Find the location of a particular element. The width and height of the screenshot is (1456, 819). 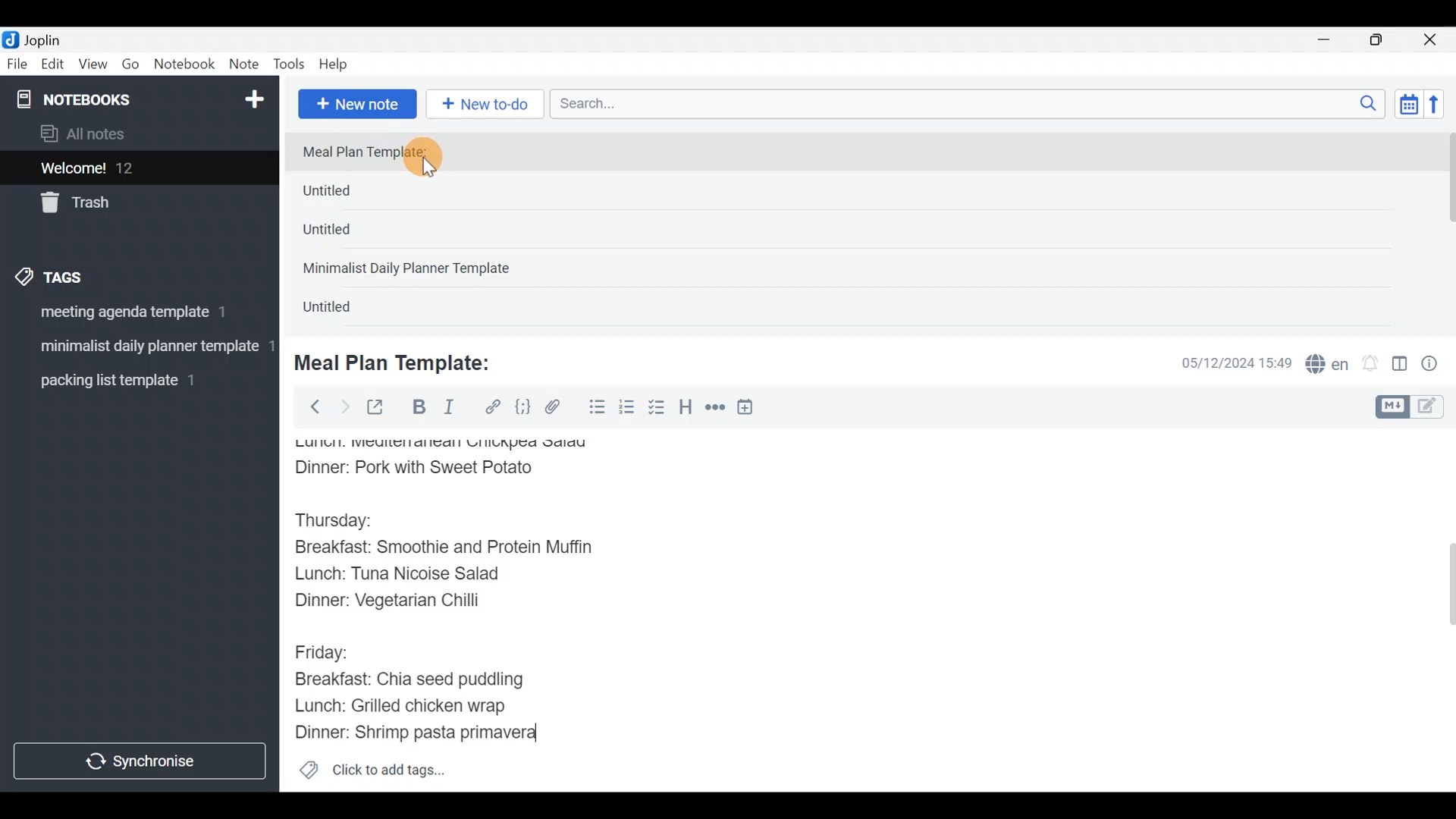

Dinner: Pork with Sweet Potato is located at coordinates (435, 468).